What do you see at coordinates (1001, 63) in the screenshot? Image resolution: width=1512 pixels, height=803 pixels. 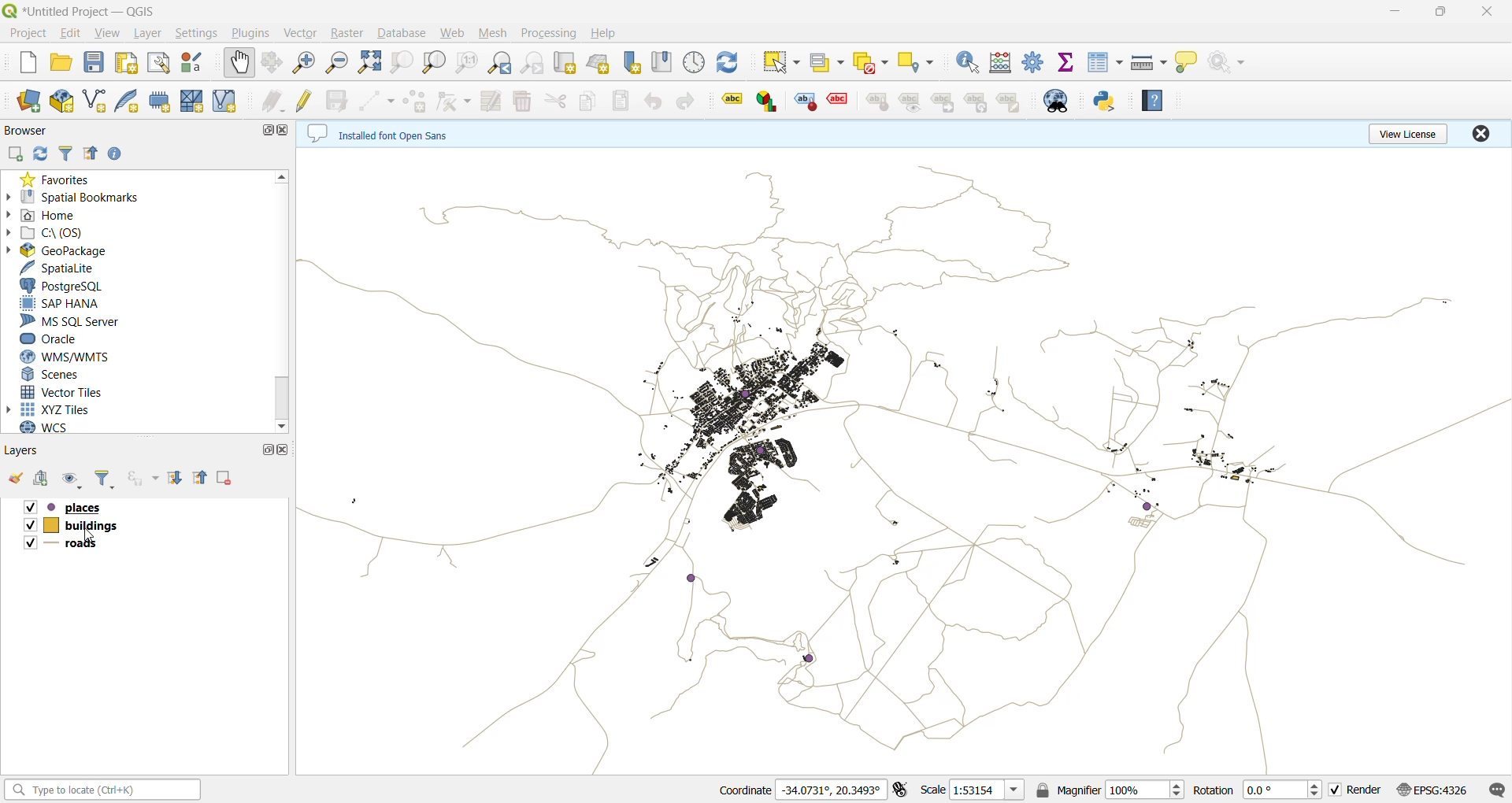 I see `calculator` at bounding box center [1001, 63].